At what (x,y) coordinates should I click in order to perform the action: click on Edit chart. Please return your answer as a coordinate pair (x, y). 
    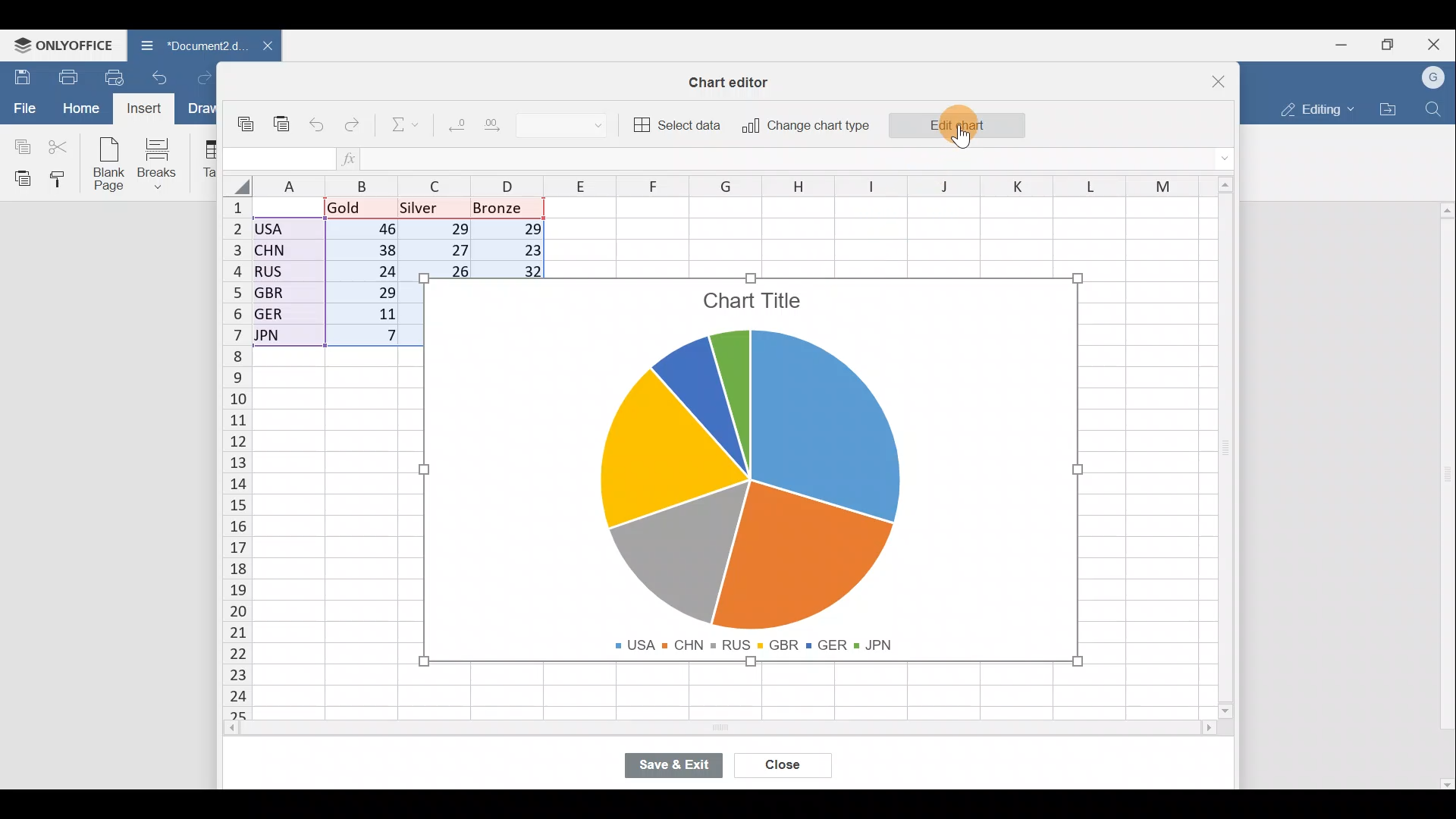
    Looking at the image, I should click on (959, 124).